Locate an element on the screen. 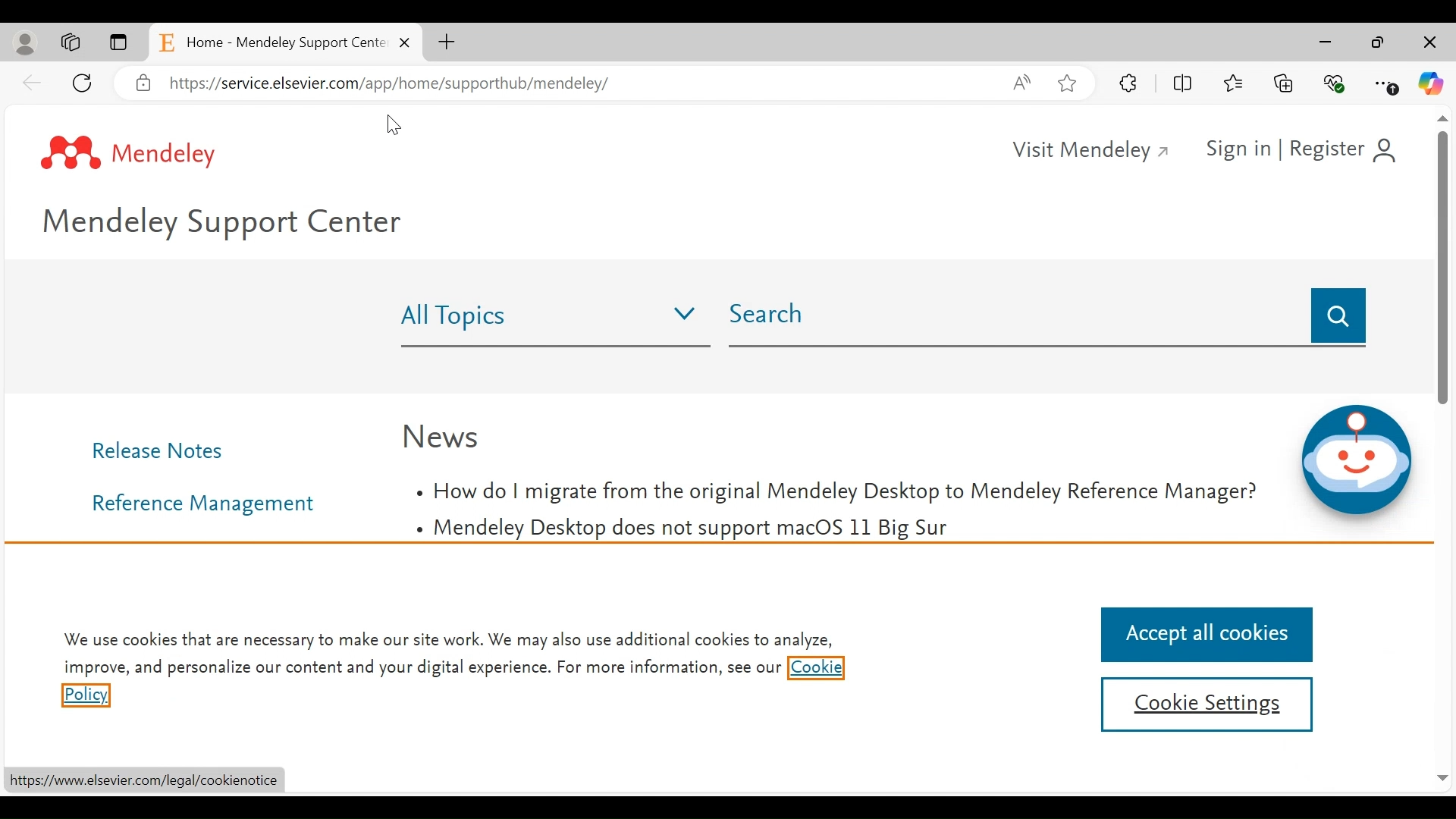  Collections is located at coordinates (1285, 82).